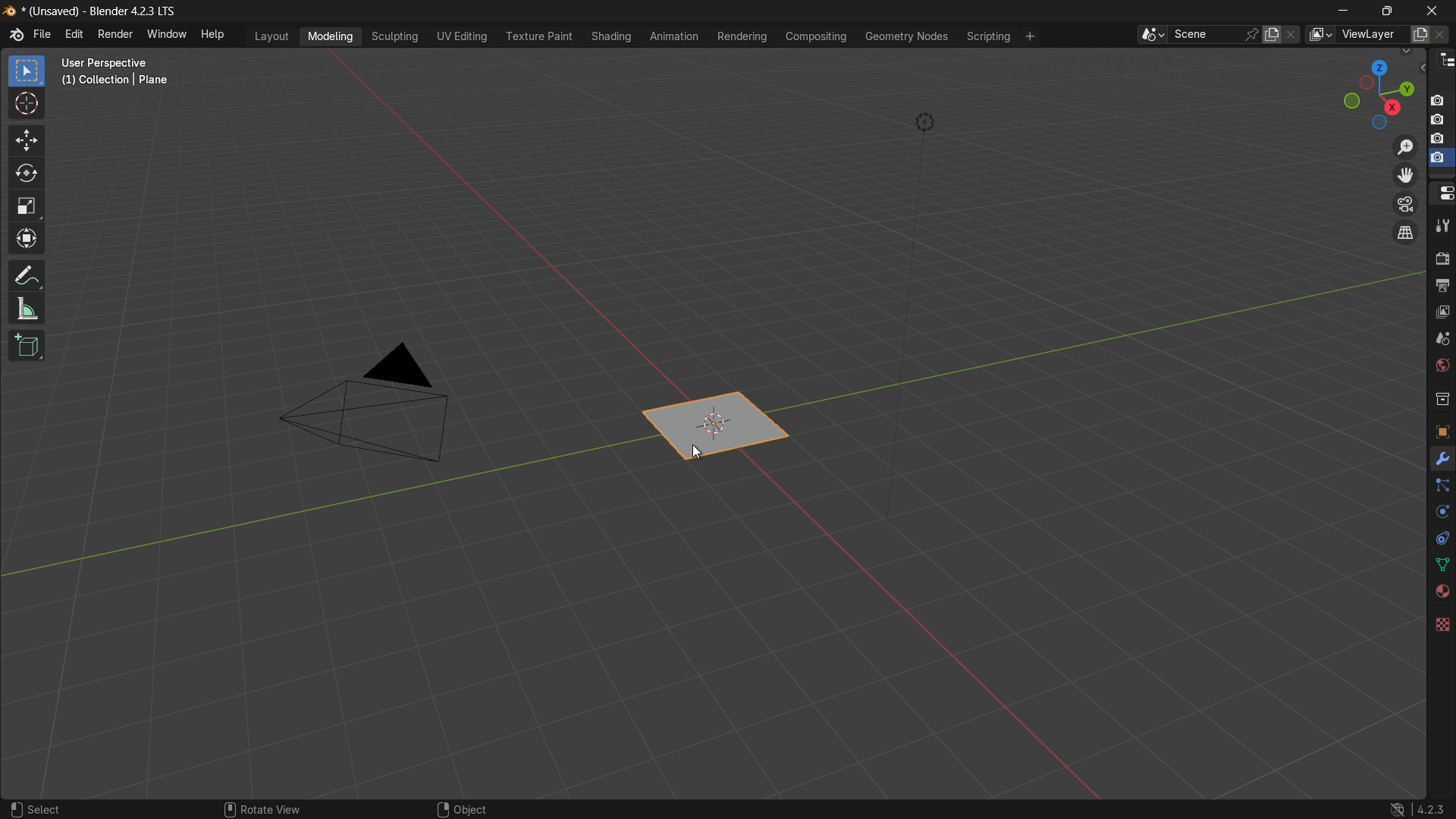  Describe the element at coordinates (1294, 36) in the screenshot. I see `delete scene` at that location.